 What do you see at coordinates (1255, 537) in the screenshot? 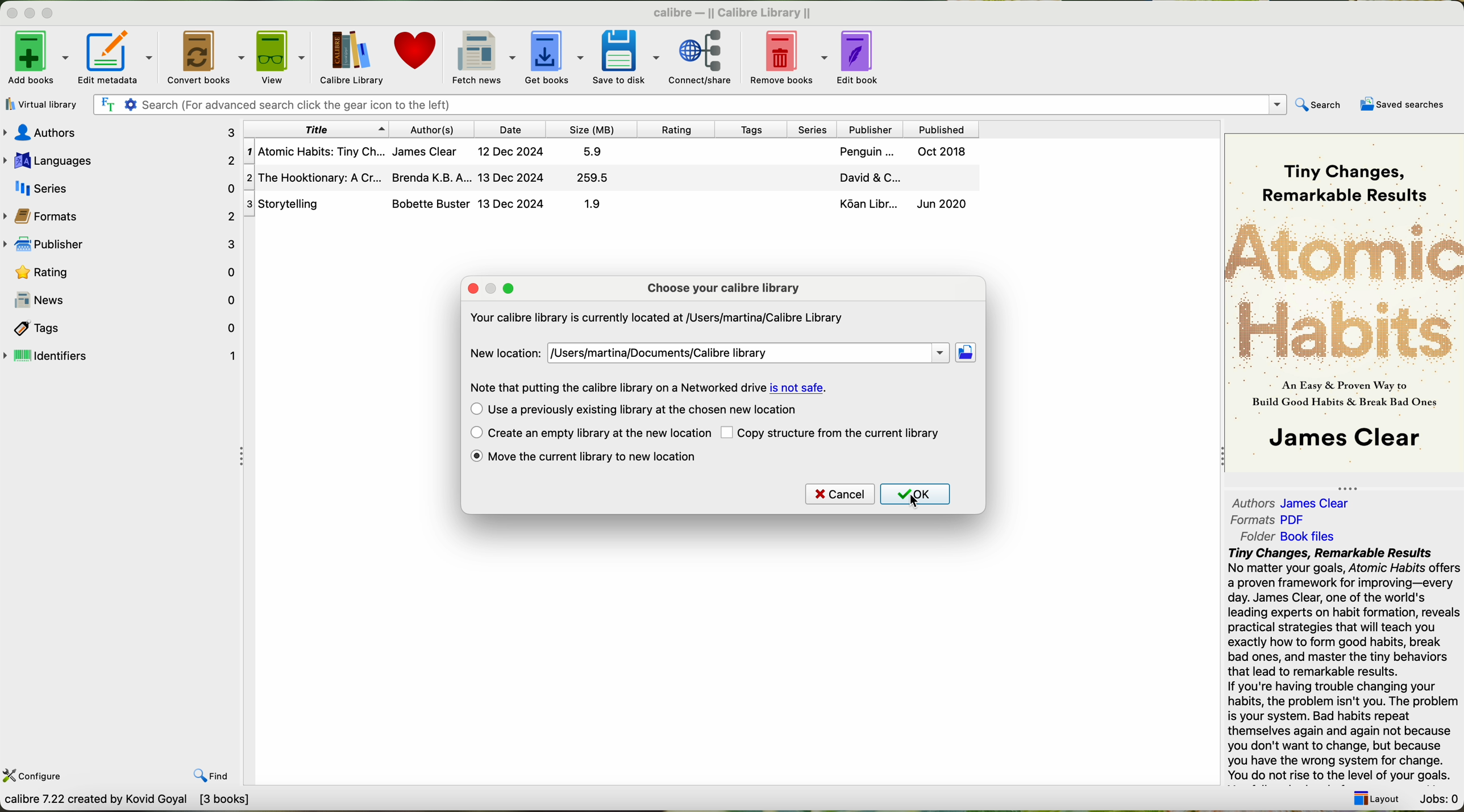
I see `folder` at bounding box center [1255, 537].